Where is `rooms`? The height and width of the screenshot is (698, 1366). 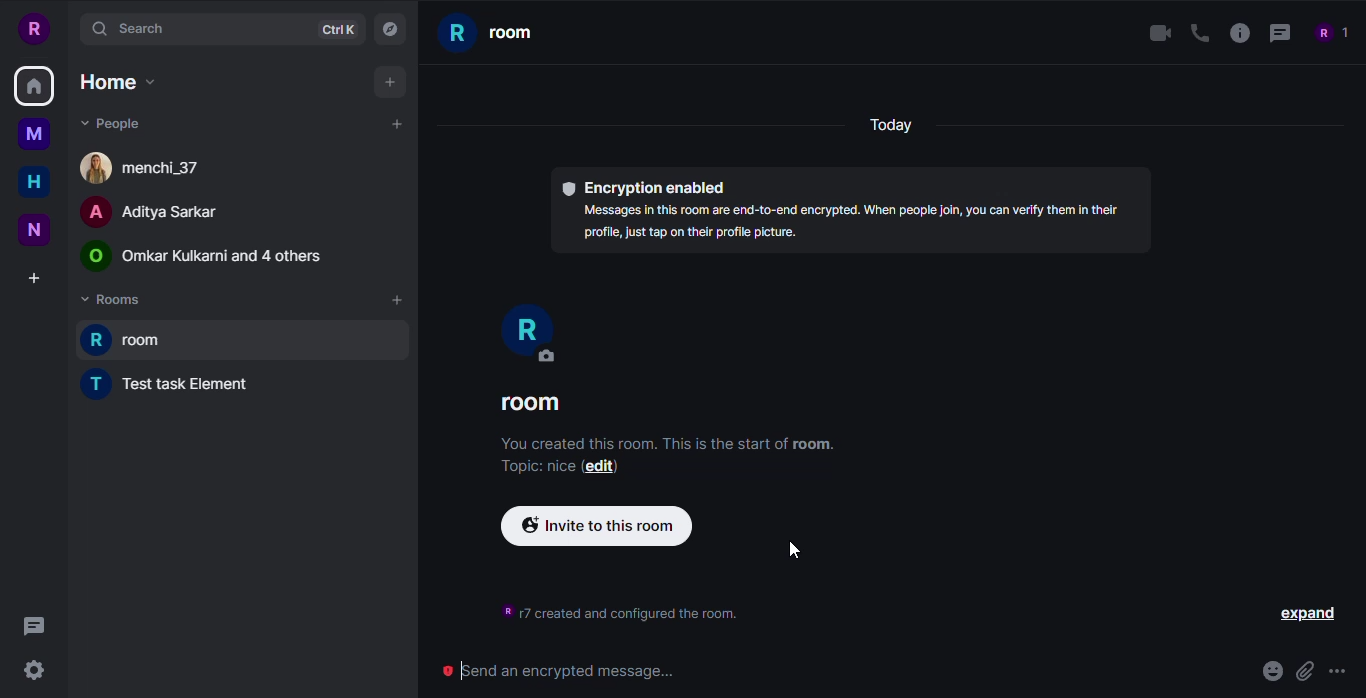 rooms is located at coordinates (113, 300).